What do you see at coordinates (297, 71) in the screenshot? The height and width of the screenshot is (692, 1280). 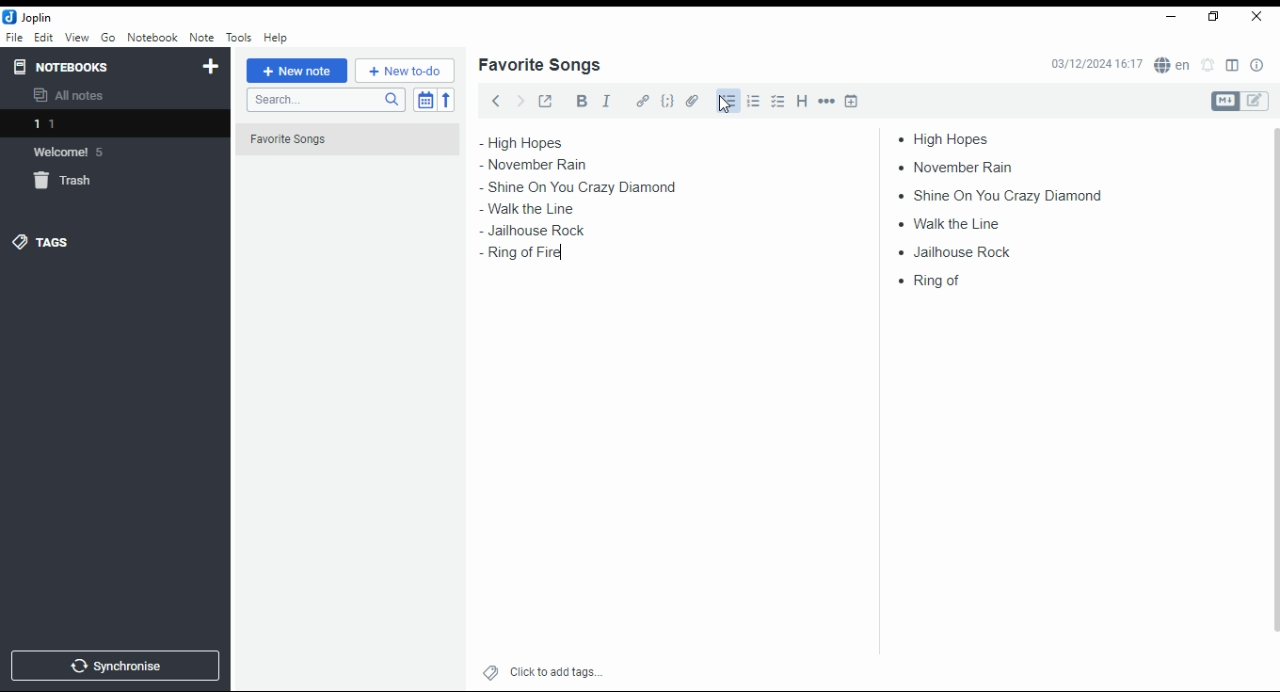 I see `new note` at bounding box center [297, 71].